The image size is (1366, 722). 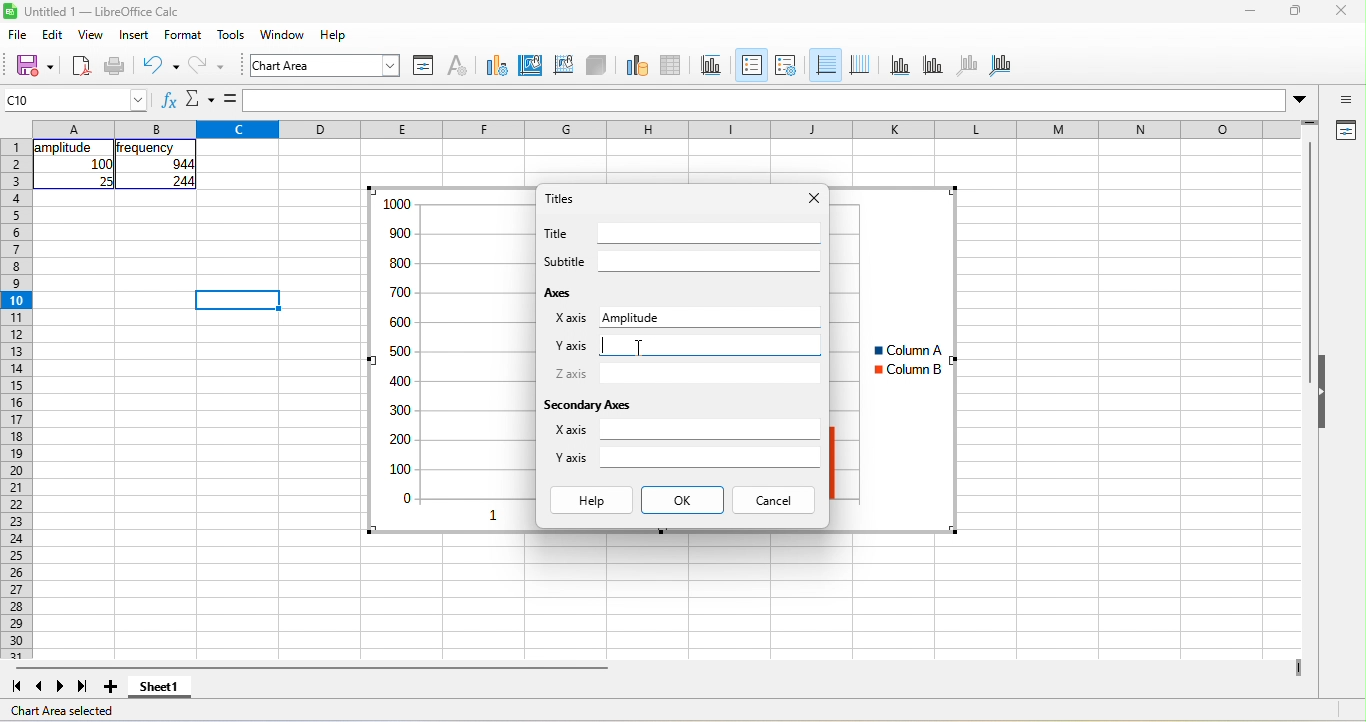 What do you see at coordinates (560, 292) in the screenshot?
I see `axes` at bounding box center [560, 292].